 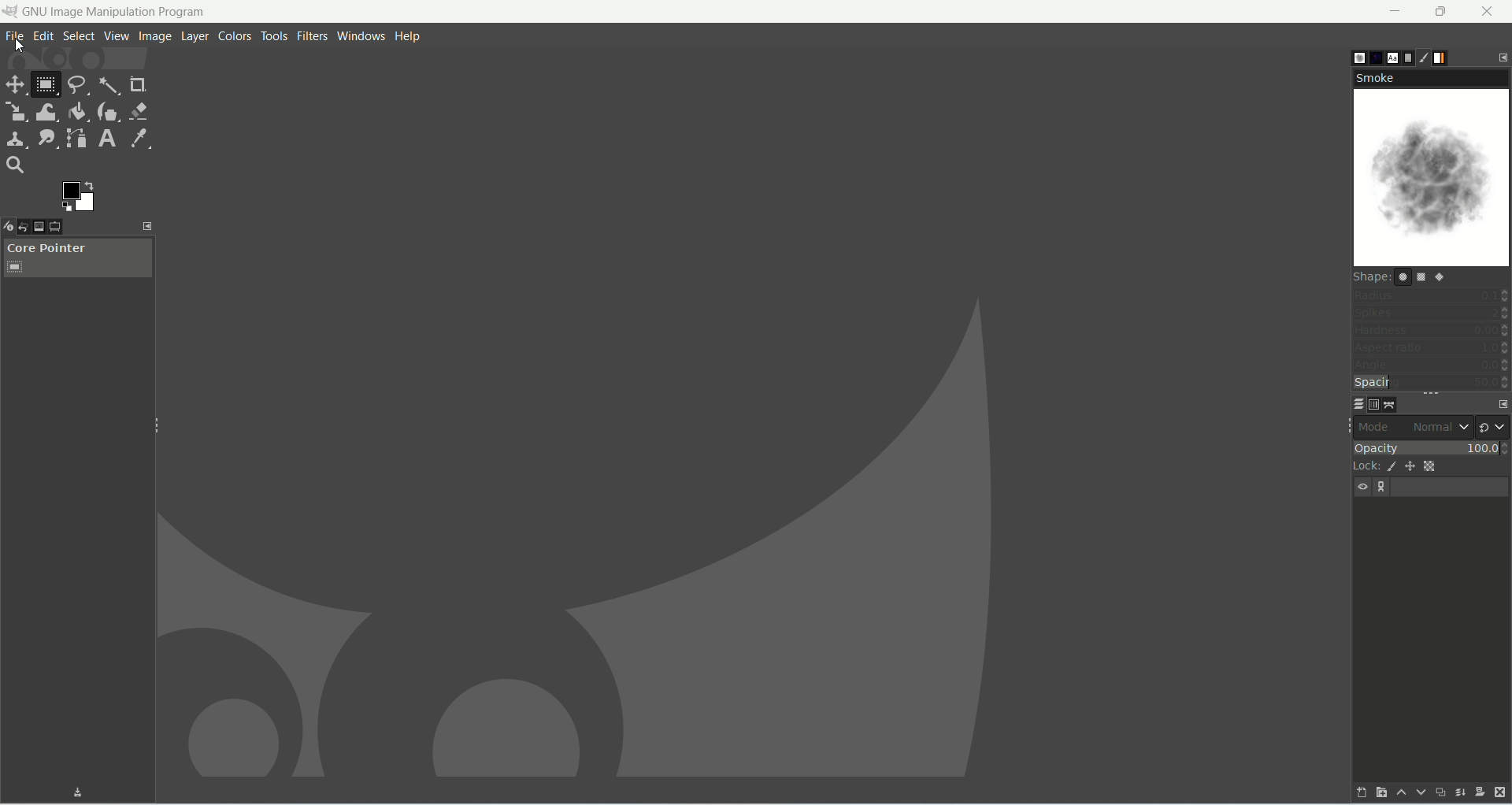 What do you see at coordinates (1502, 403) in the screenshot?
I see `configure this tab` at bounding box center [1502, 403].